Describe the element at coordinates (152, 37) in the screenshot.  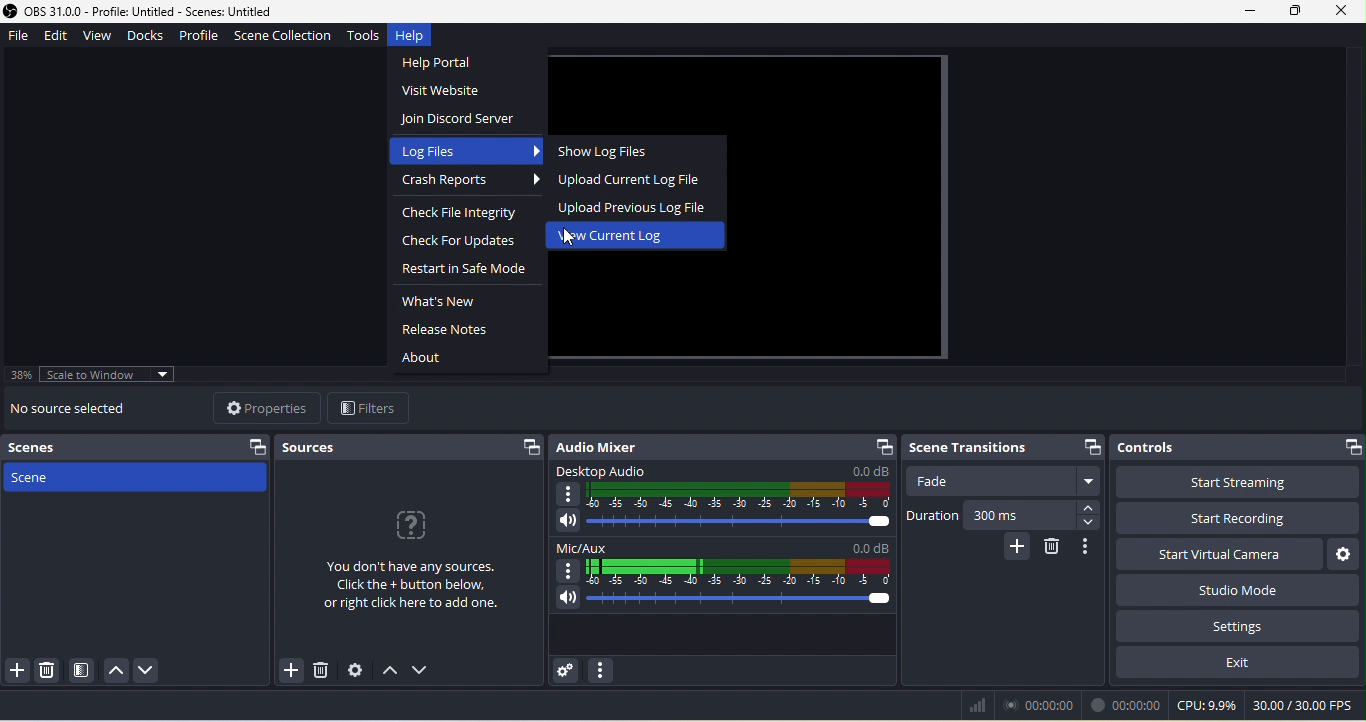
I see `docks` at that location.